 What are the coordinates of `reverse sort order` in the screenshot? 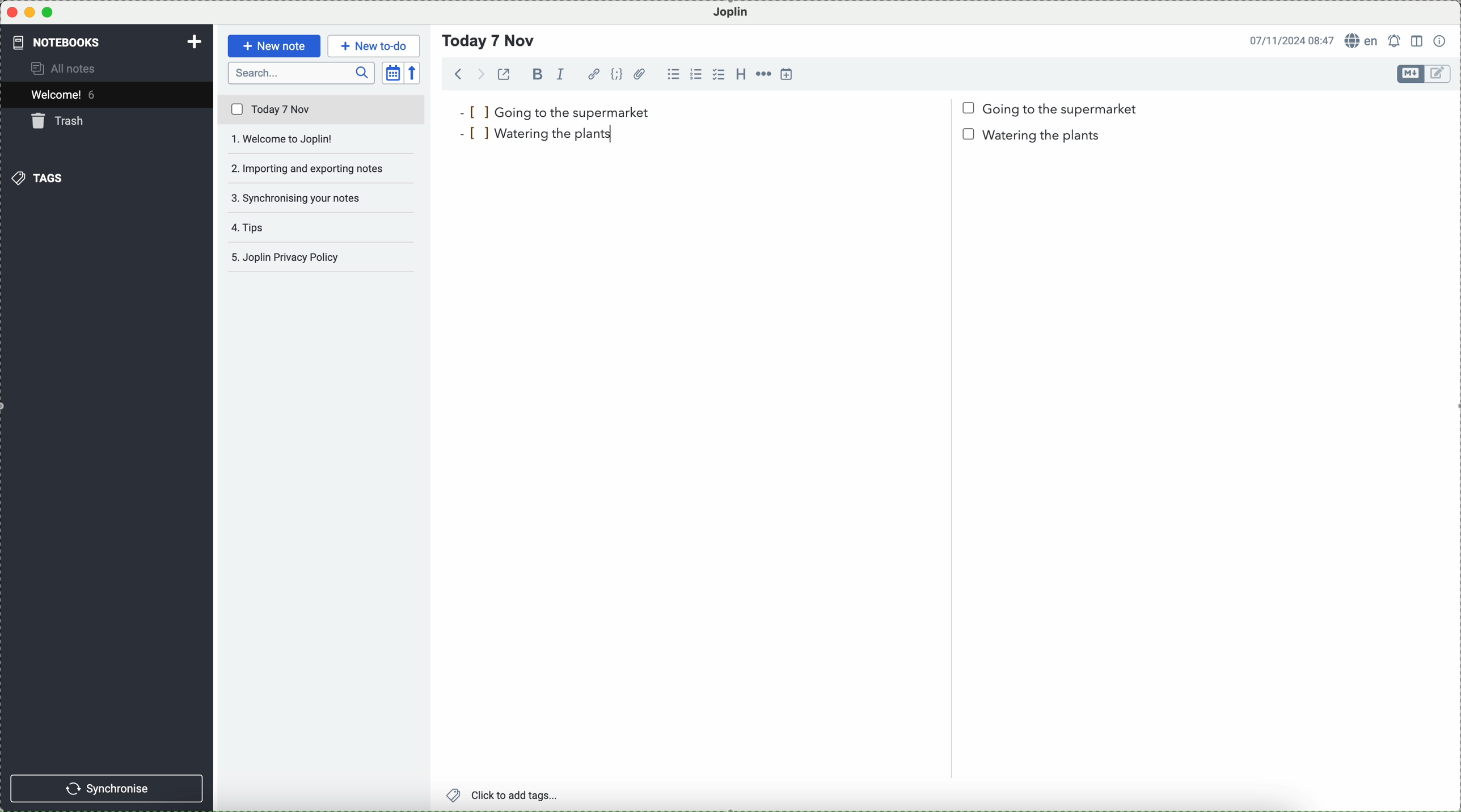 It's located at (413, 73).